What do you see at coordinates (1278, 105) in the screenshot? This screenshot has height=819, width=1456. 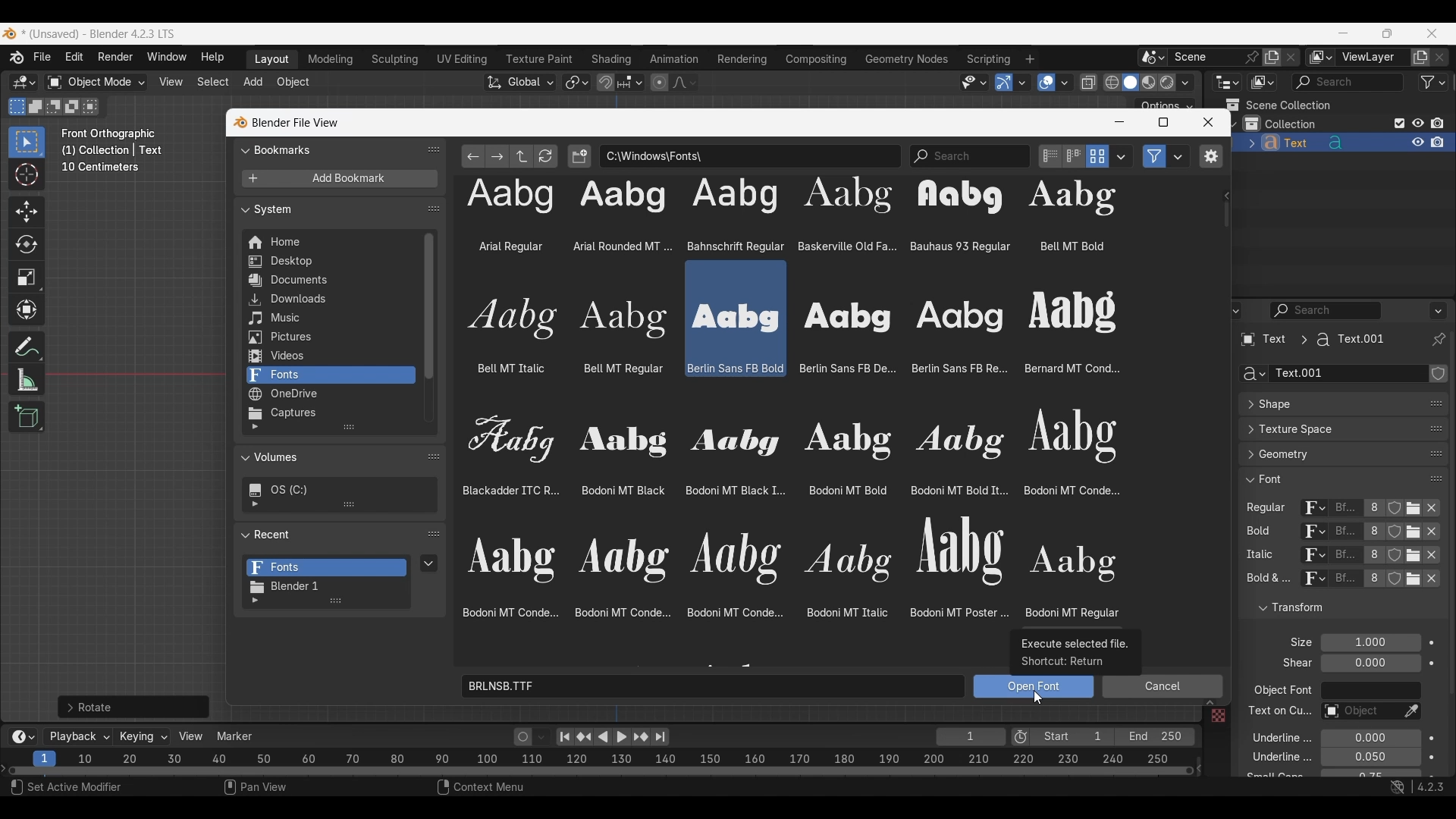 I see `Scene collection` at bounding box center [1278, 105].